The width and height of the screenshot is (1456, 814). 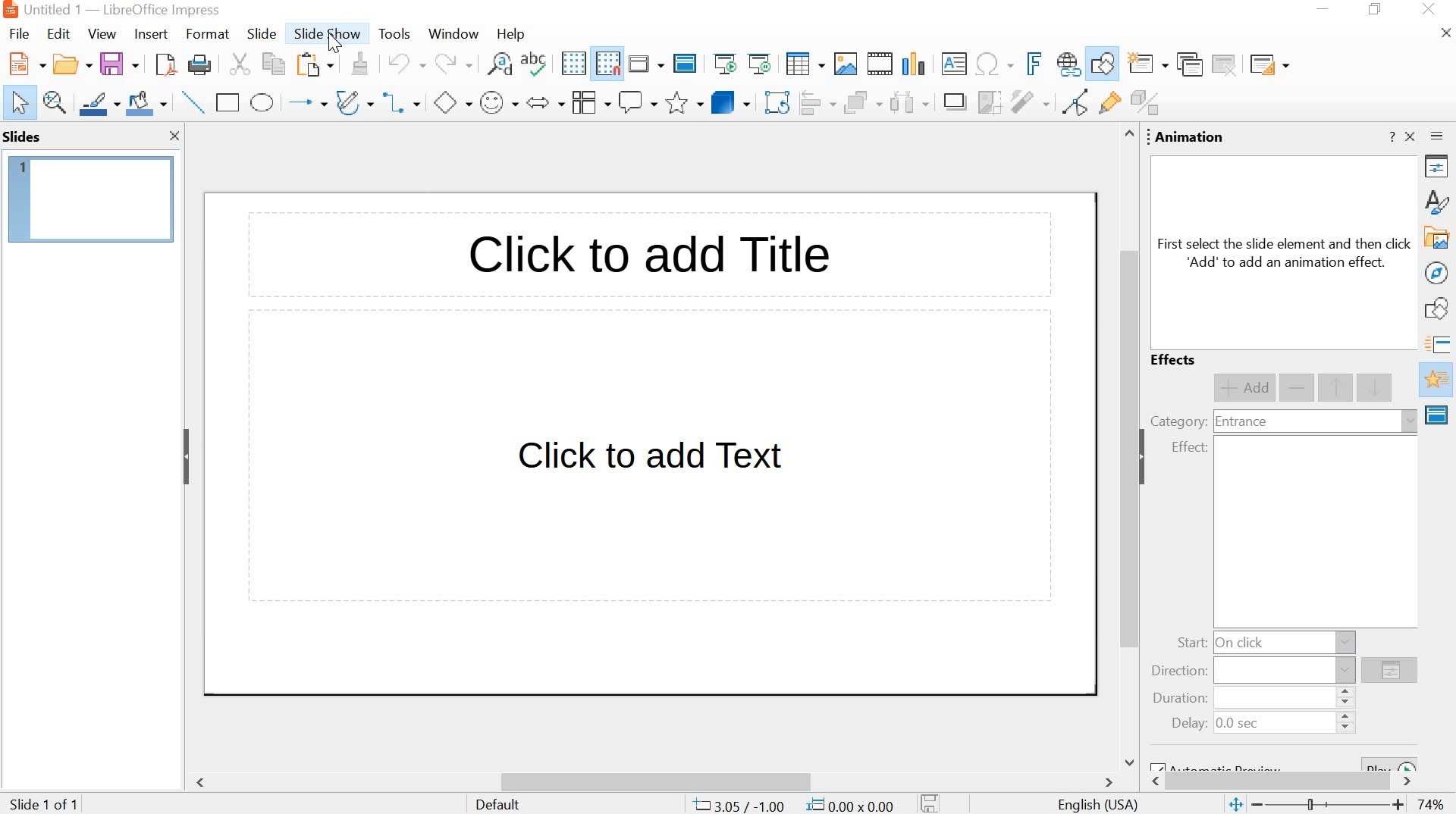 What do you see at coordinates (58, 34) in the screenshot?
I see `edit menu` at bounding box center [58, 34].